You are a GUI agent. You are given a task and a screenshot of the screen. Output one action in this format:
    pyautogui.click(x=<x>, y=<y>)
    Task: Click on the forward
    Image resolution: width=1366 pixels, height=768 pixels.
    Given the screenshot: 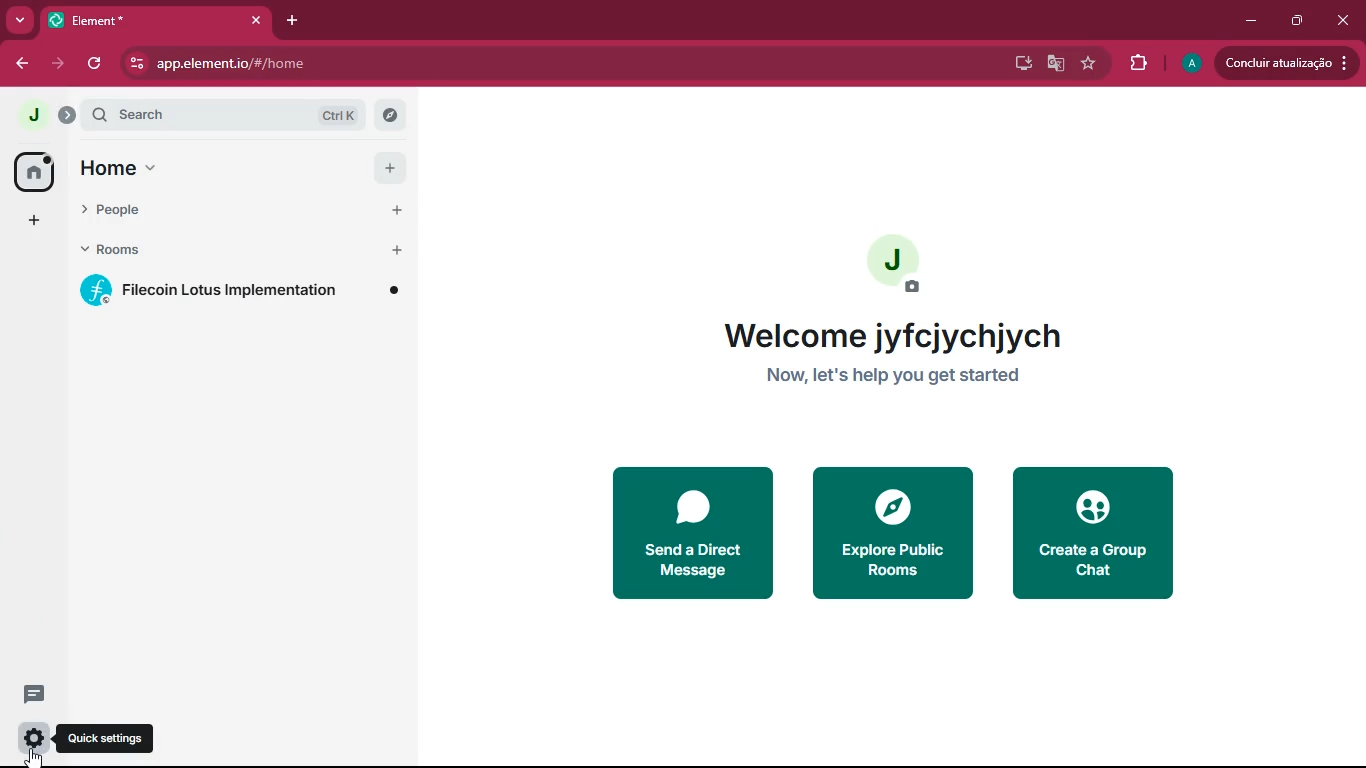 What is the action you would take?
    pyautogui.click(x=58, y=64)
    